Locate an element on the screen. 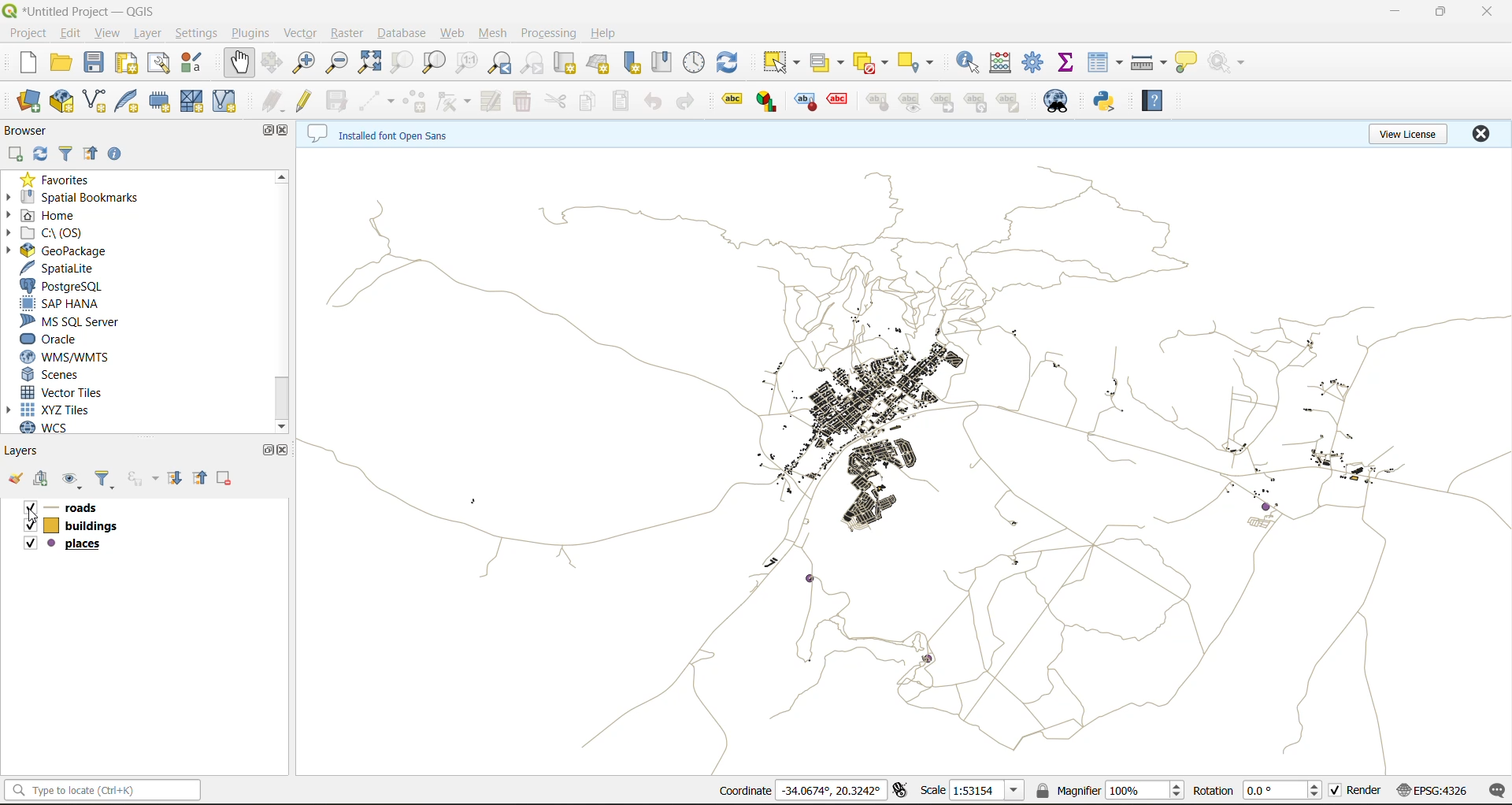  c\:os is located at coordinates (59, 233).